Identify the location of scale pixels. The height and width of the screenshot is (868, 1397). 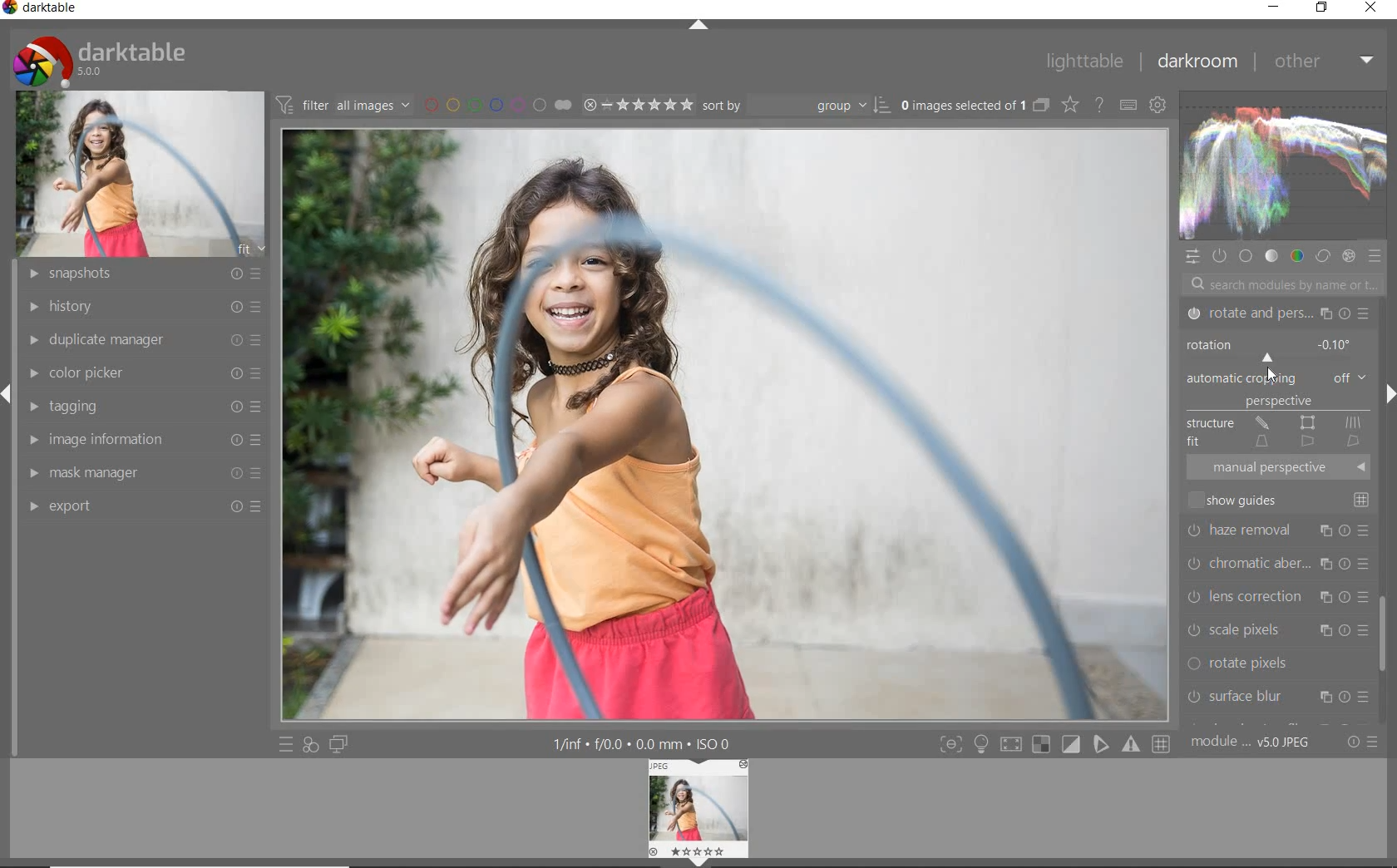
(1272, 627).